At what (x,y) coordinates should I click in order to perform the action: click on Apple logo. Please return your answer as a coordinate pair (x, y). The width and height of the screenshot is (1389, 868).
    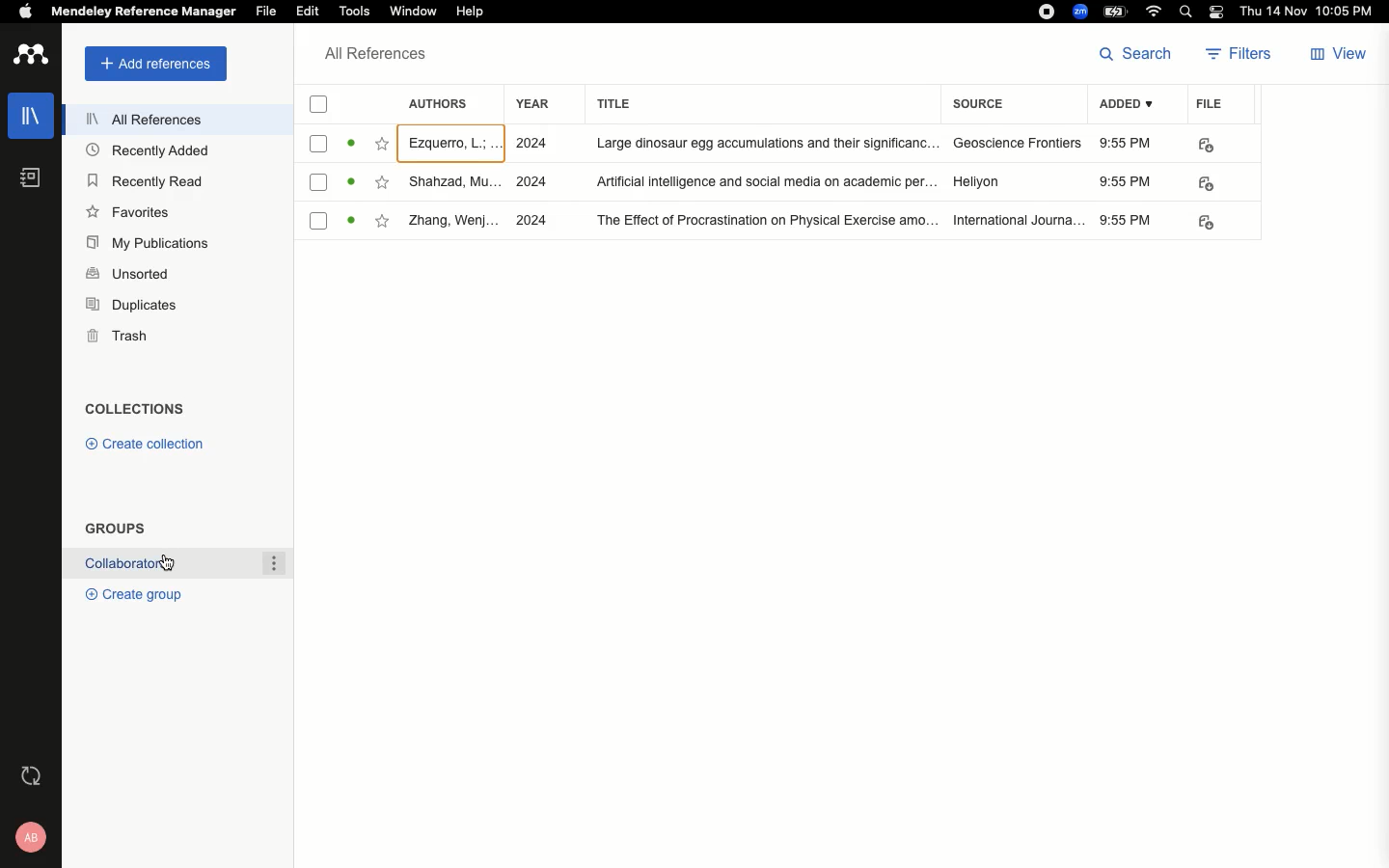
    Looking at the image, I should click on (25, 10).